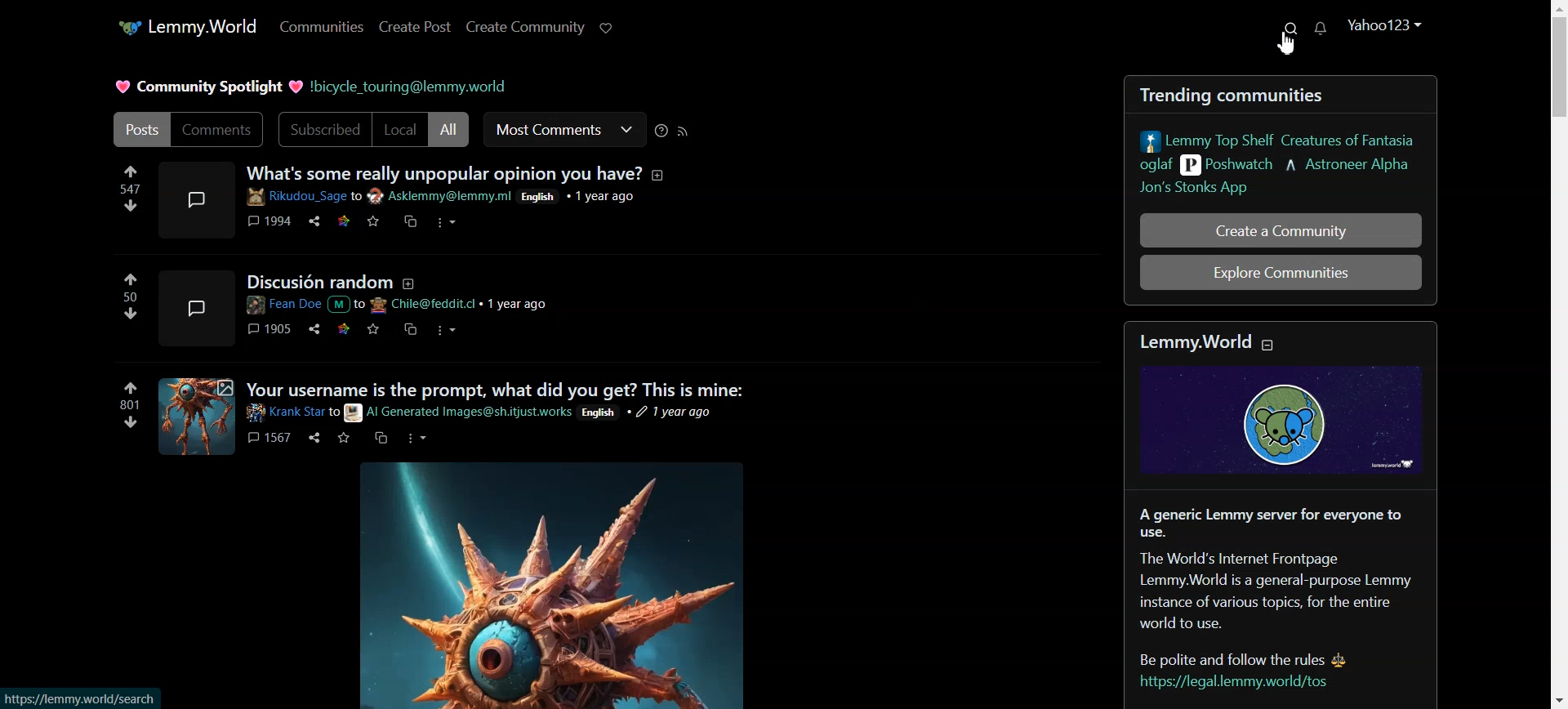  I want to click on copy, so click(381, 438).